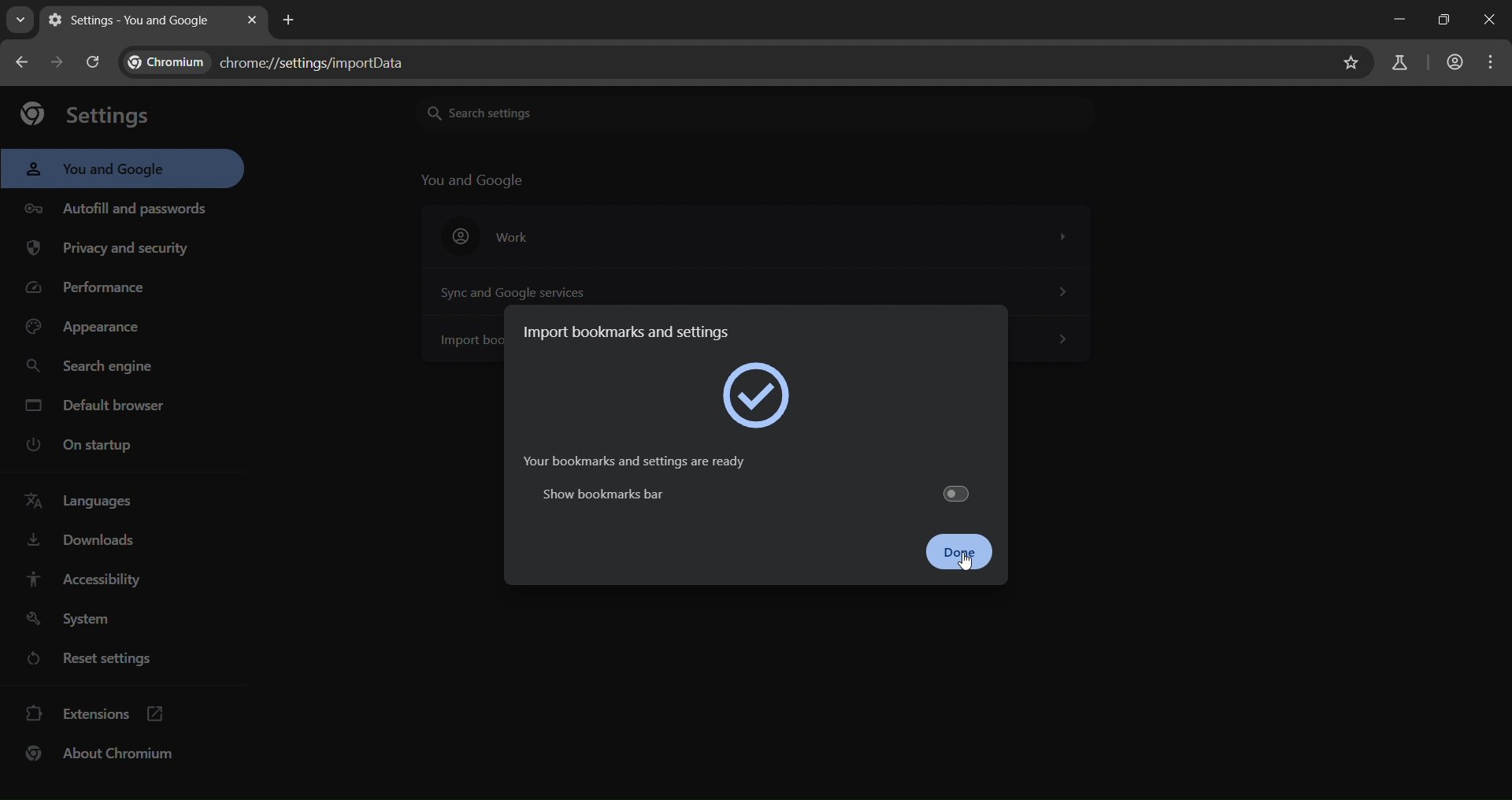 This screenshot has height=800, width=1512. I want to click on languages, so click(80, 502).